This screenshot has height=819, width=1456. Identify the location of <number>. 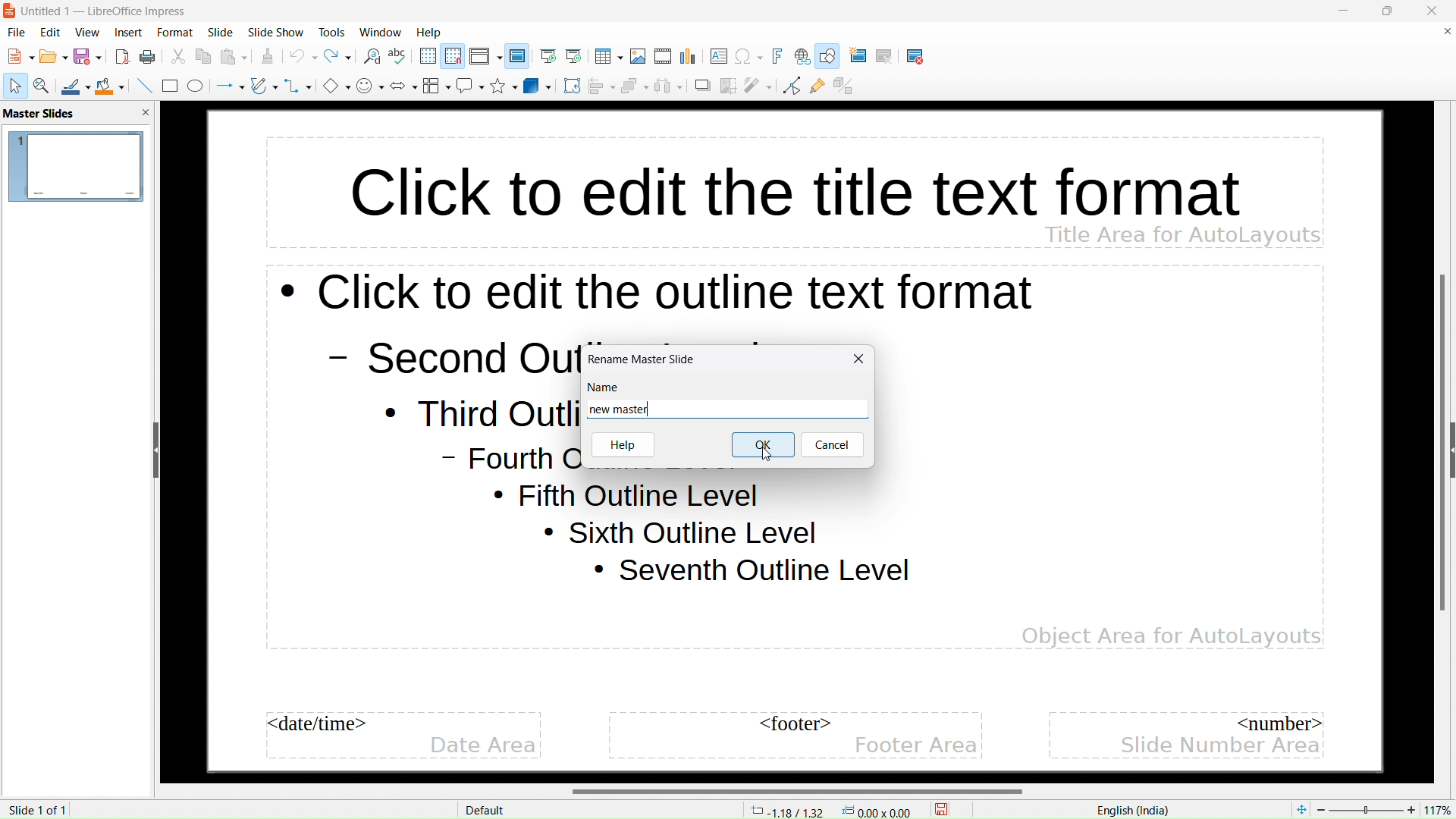
(1281, 723).